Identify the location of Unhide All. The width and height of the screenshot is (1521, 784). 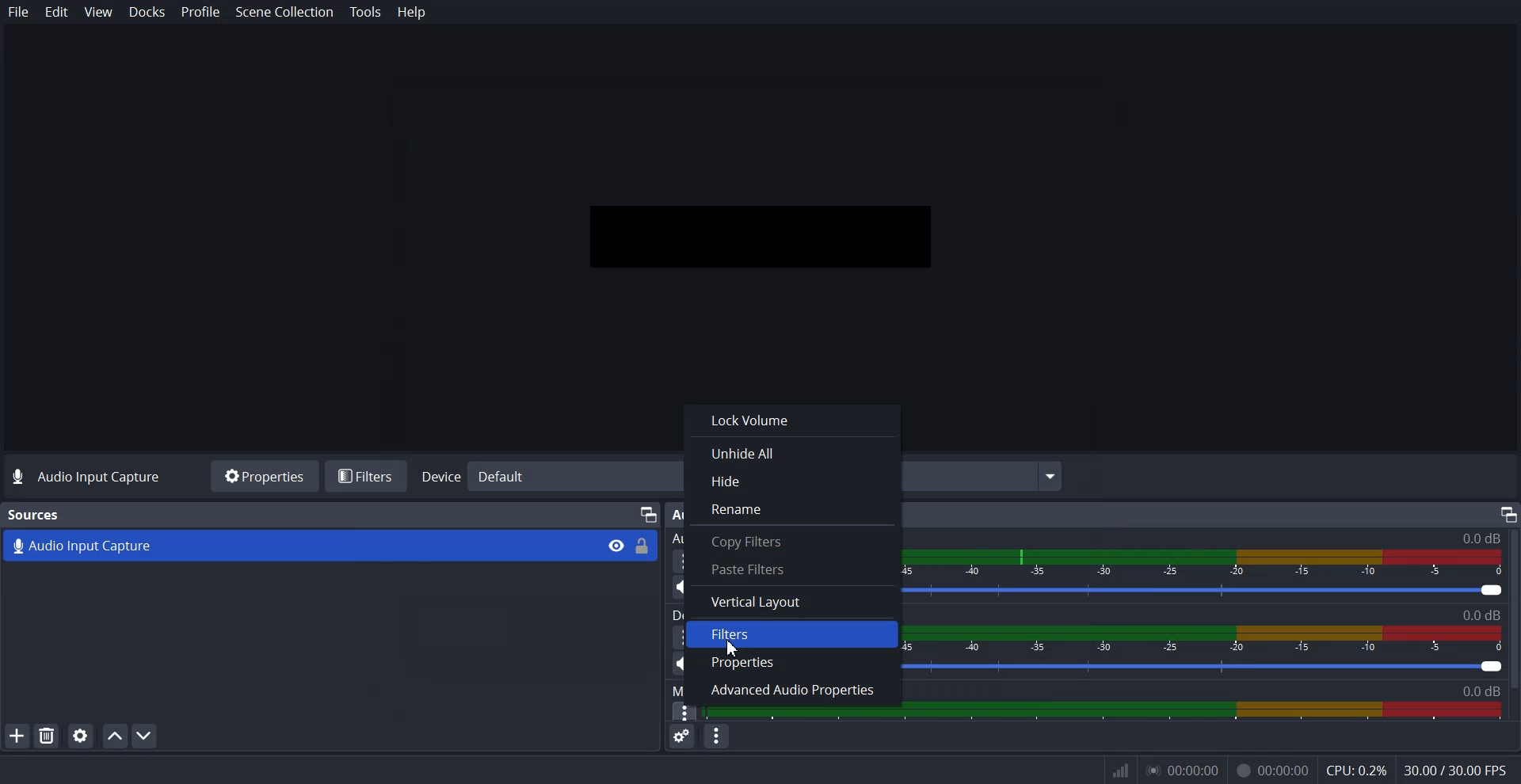
(799, 453).